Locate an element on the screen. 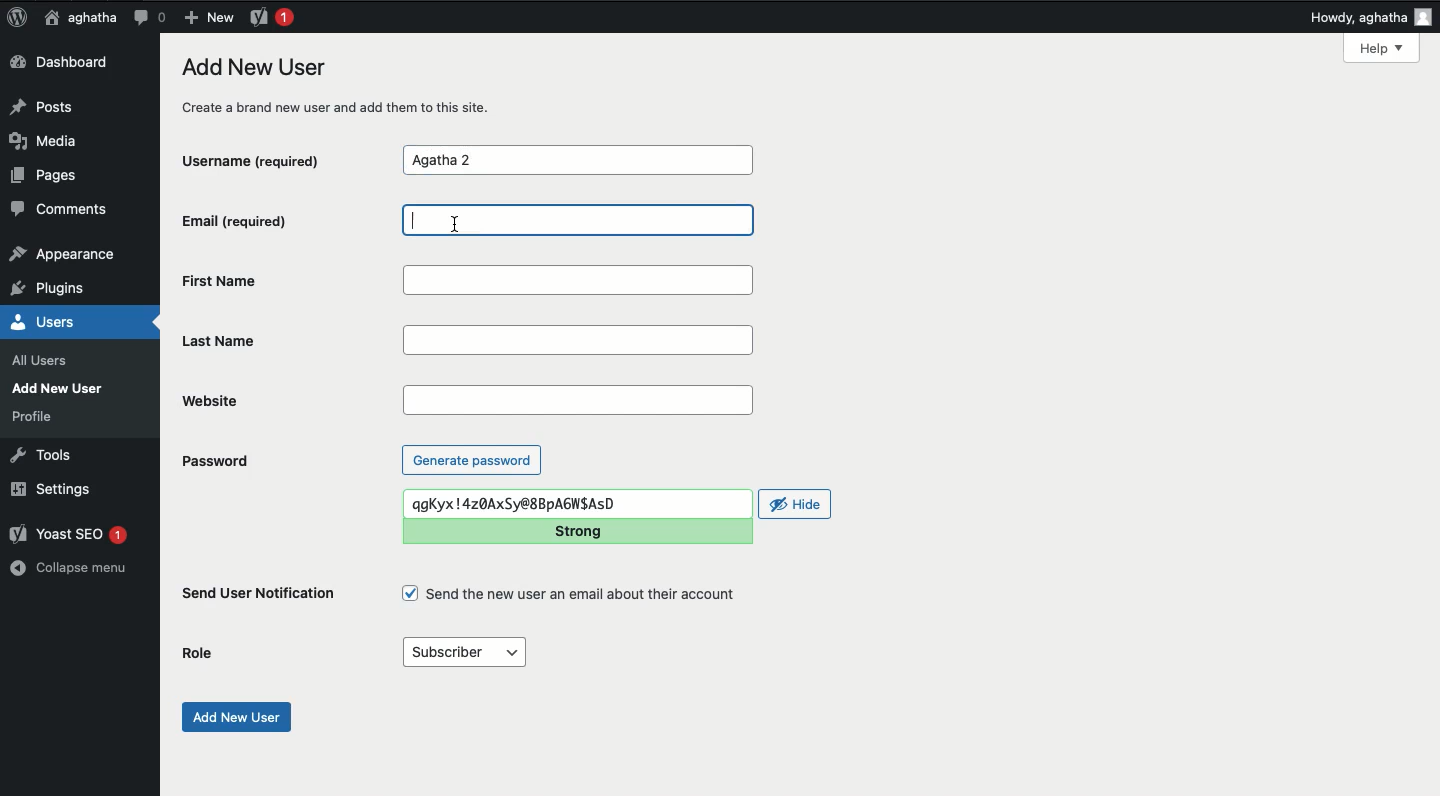  Yoast is located at coordinates (270, 16).